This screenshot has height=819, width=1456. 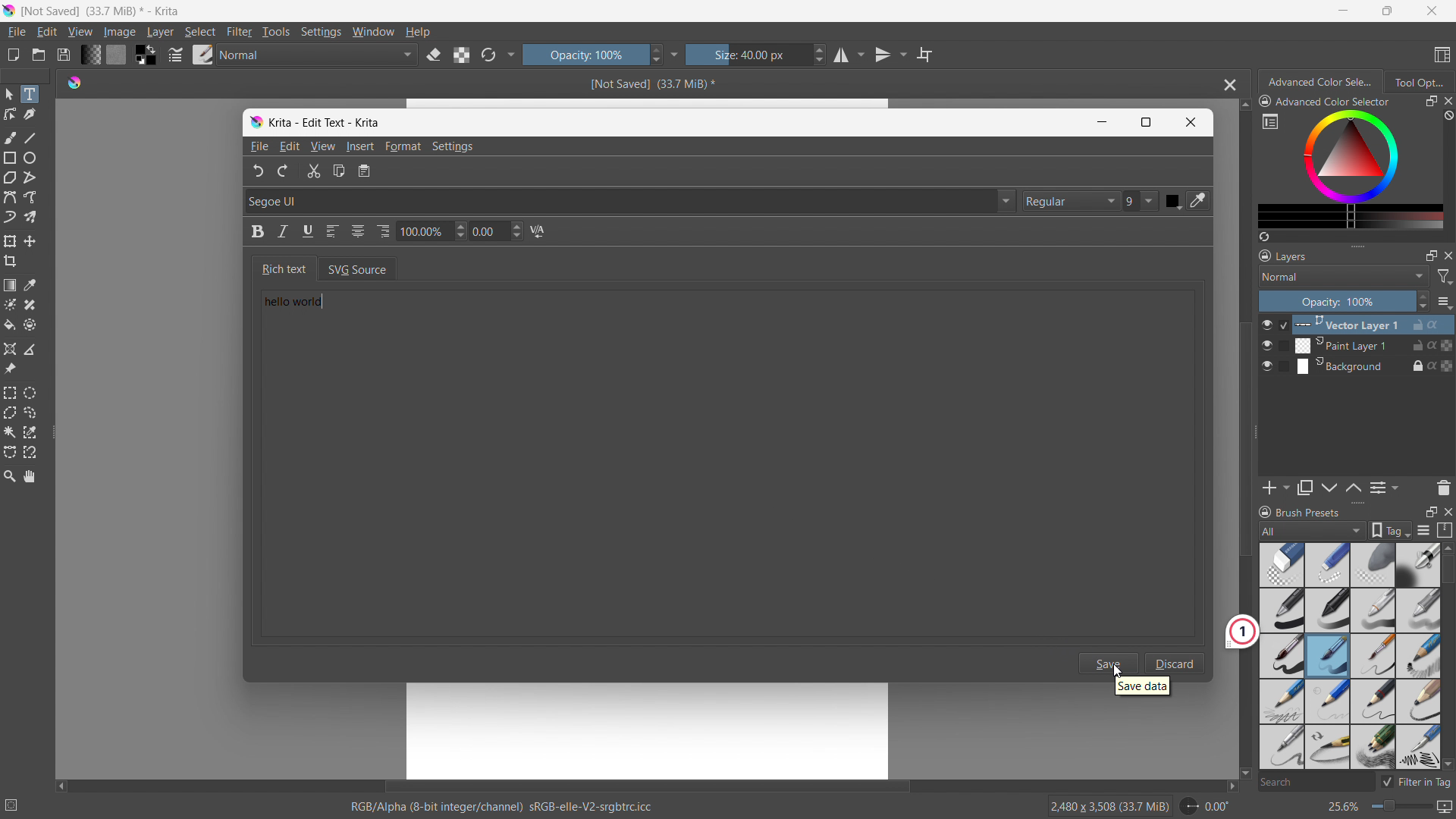 I want to click on logo, so click(x=74, y=81).